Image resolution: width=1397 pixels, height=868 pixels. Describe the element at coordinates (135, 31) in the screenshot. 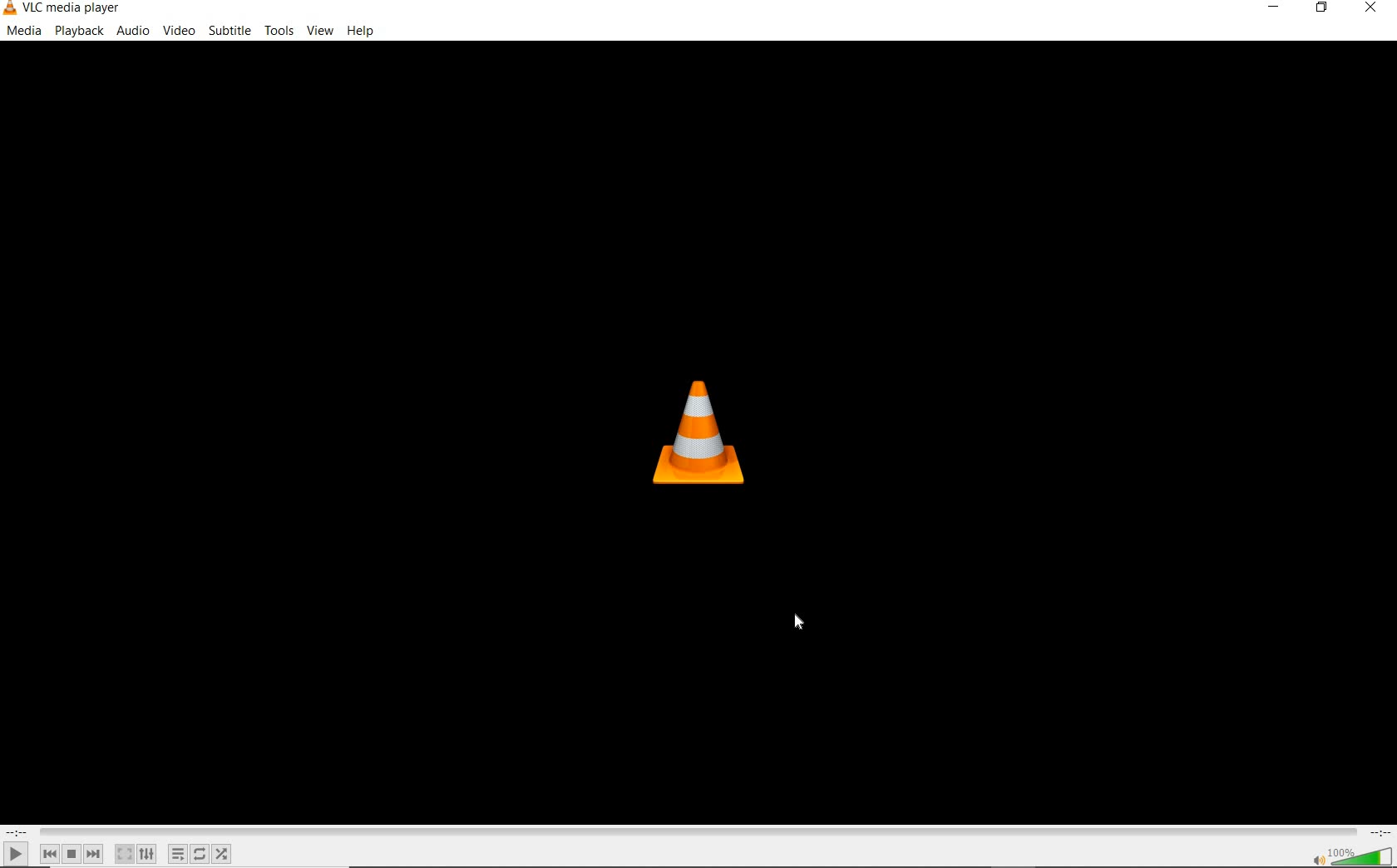

I see `audio` at that location.